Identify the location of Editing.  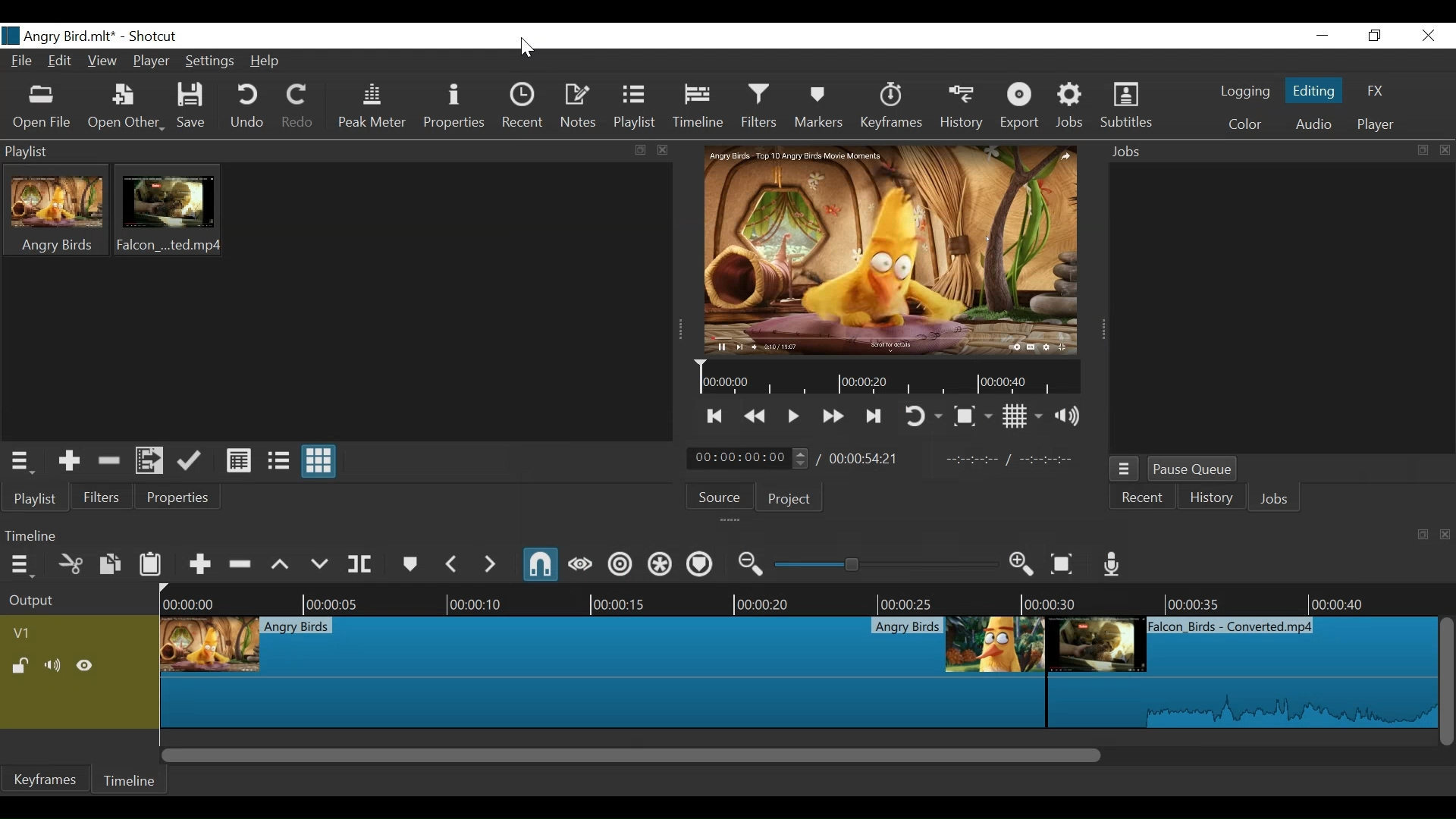
(1313, 89).